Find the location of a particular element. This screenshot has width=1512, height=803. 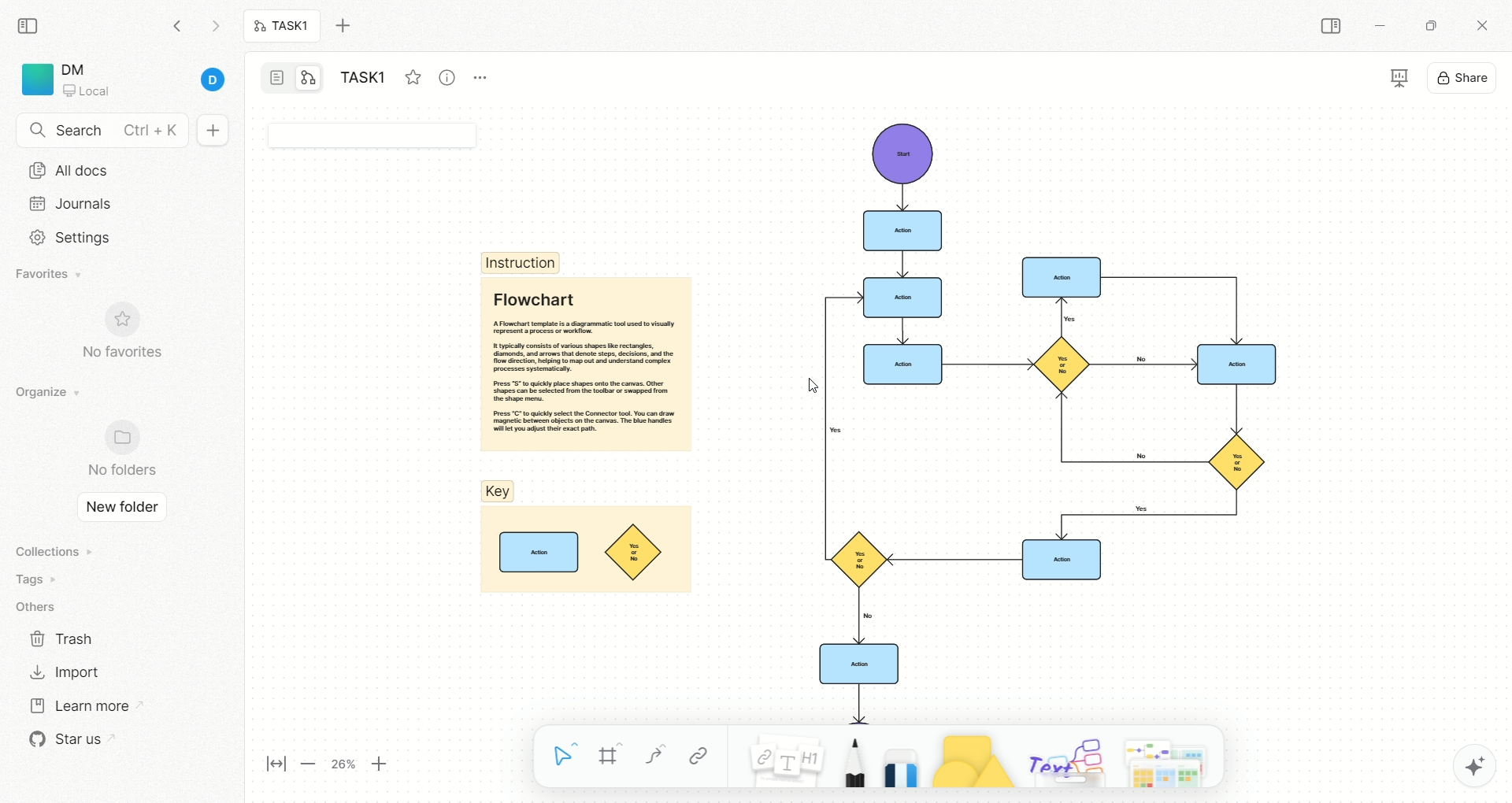

favorites is located at coordinates (412, 75).